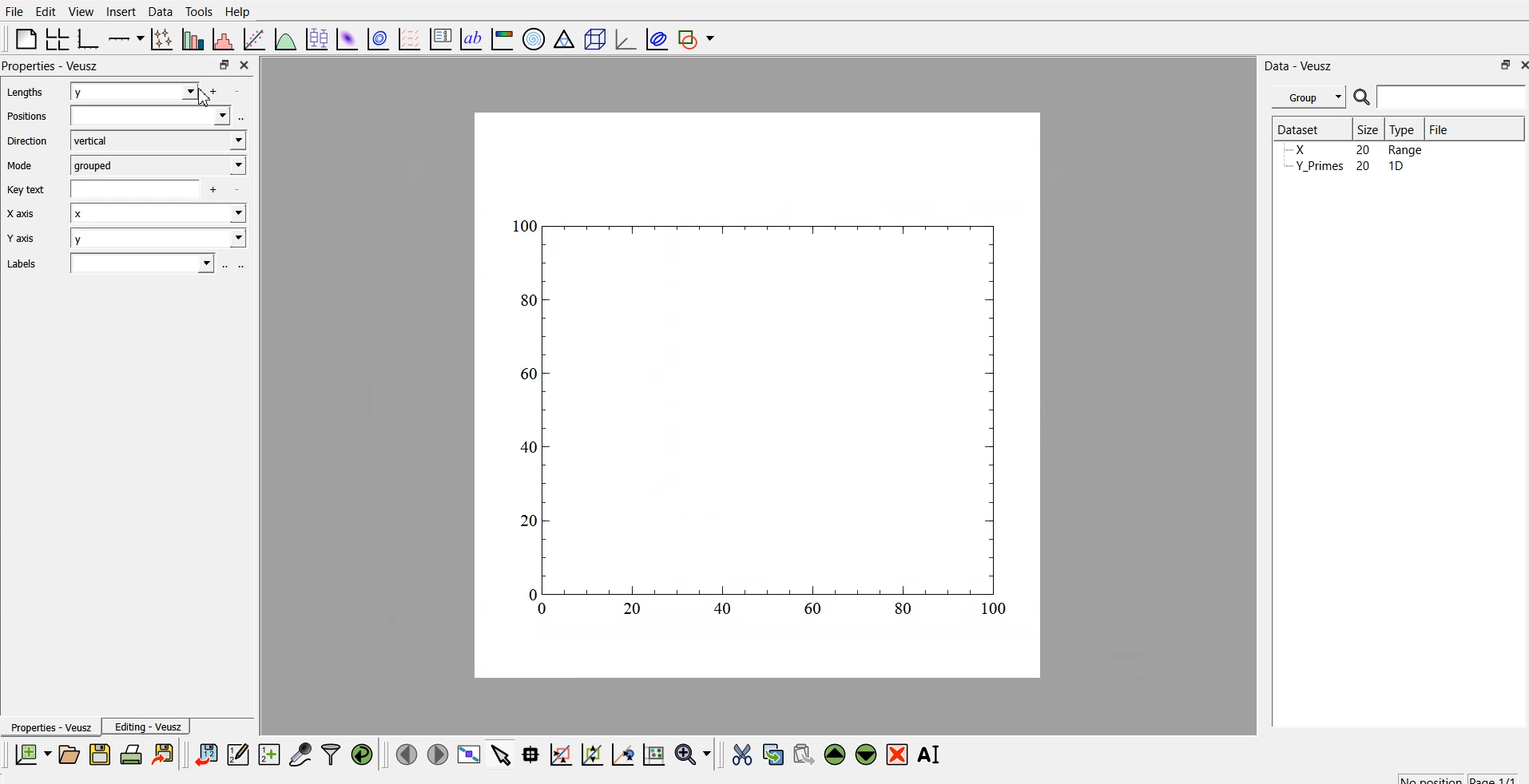  What do you see at coordinates (693, 754) in the screenshot?
I see `zoom menu` at bounding box center [693, 754].